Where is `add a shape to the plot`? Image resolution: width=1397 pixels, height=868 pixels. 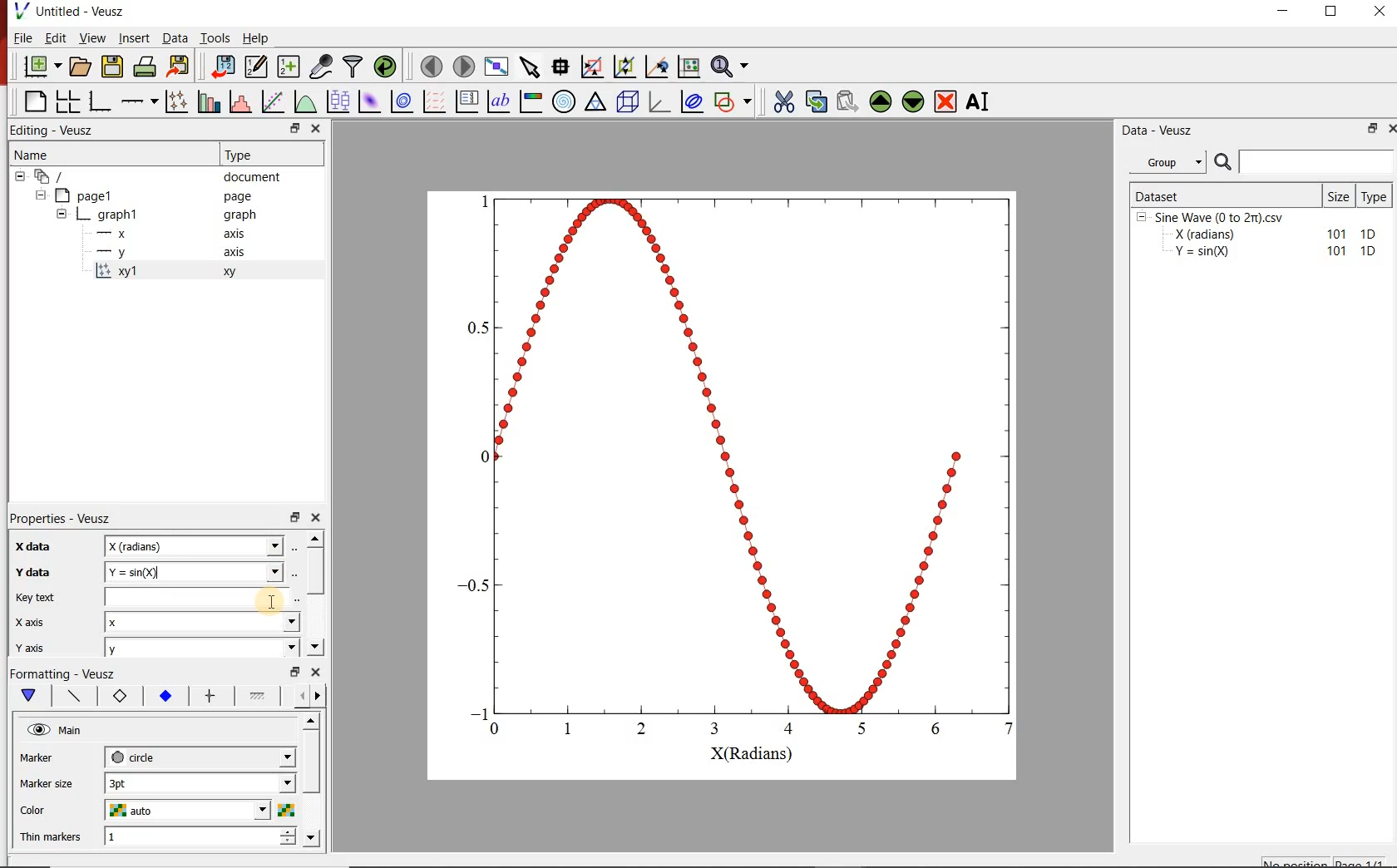 add a shape to the plot is located at coordinates (736, 101).